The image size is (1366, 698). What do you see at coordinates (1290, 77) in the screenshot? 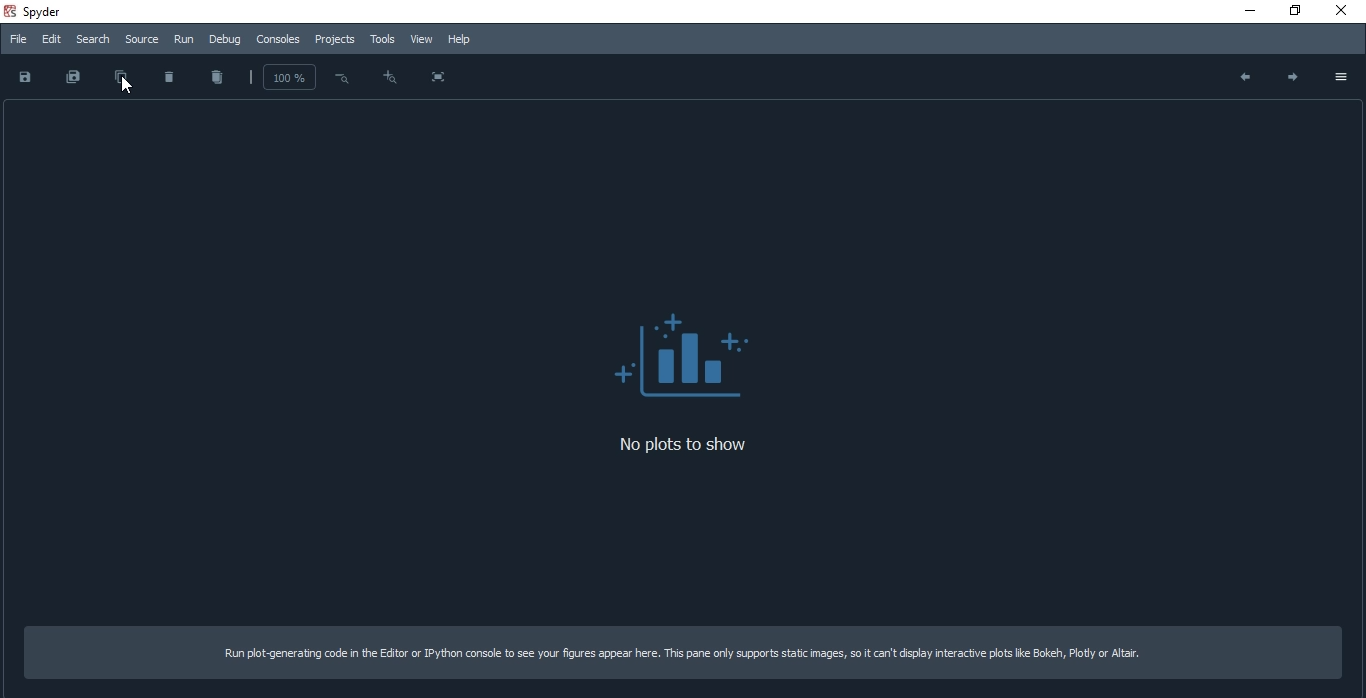
I see `next plot` at bounding box center [1290, 77].